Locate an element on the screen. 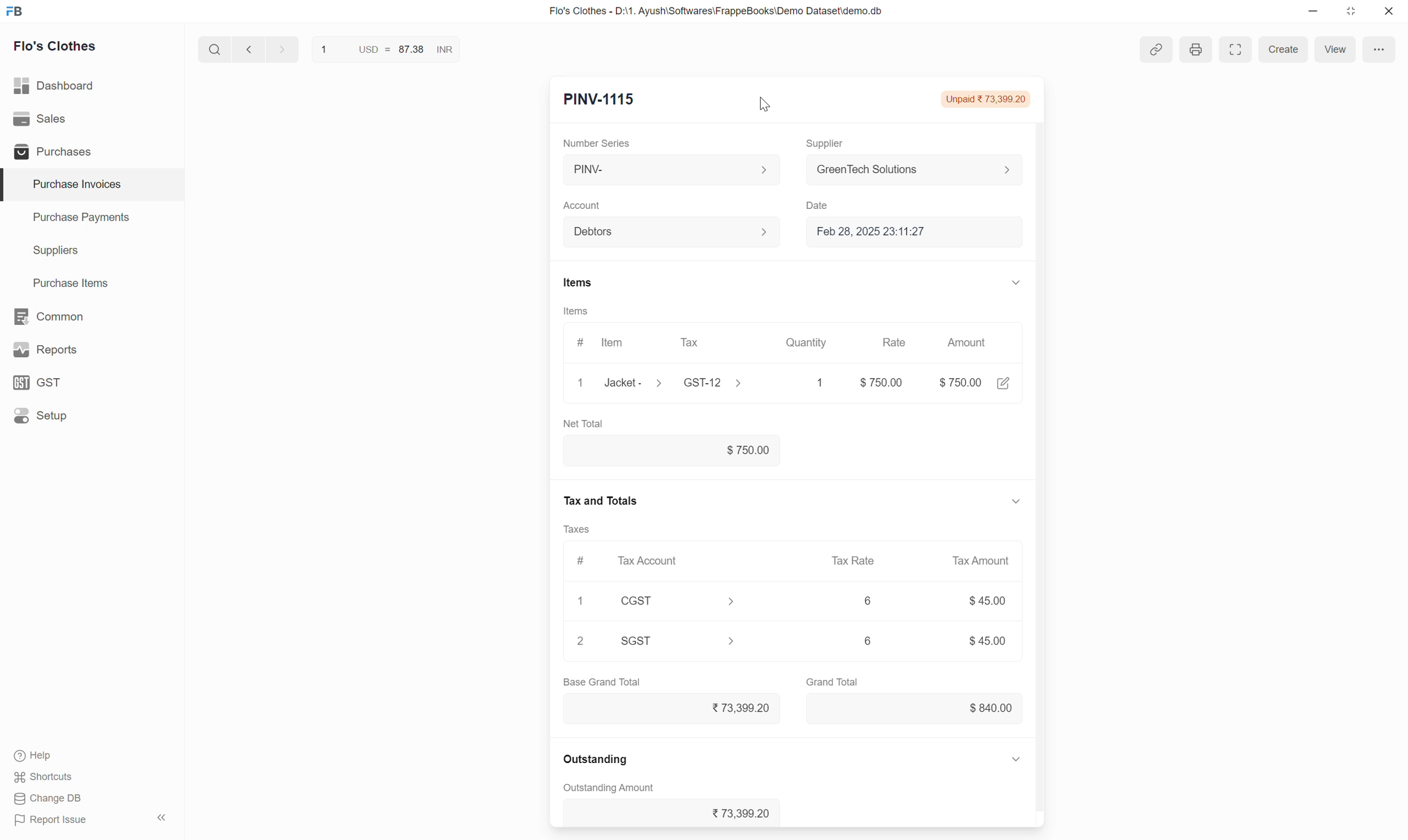 This screenshot has width=1408, height=840. Tax is located at coordinates (712, 343).